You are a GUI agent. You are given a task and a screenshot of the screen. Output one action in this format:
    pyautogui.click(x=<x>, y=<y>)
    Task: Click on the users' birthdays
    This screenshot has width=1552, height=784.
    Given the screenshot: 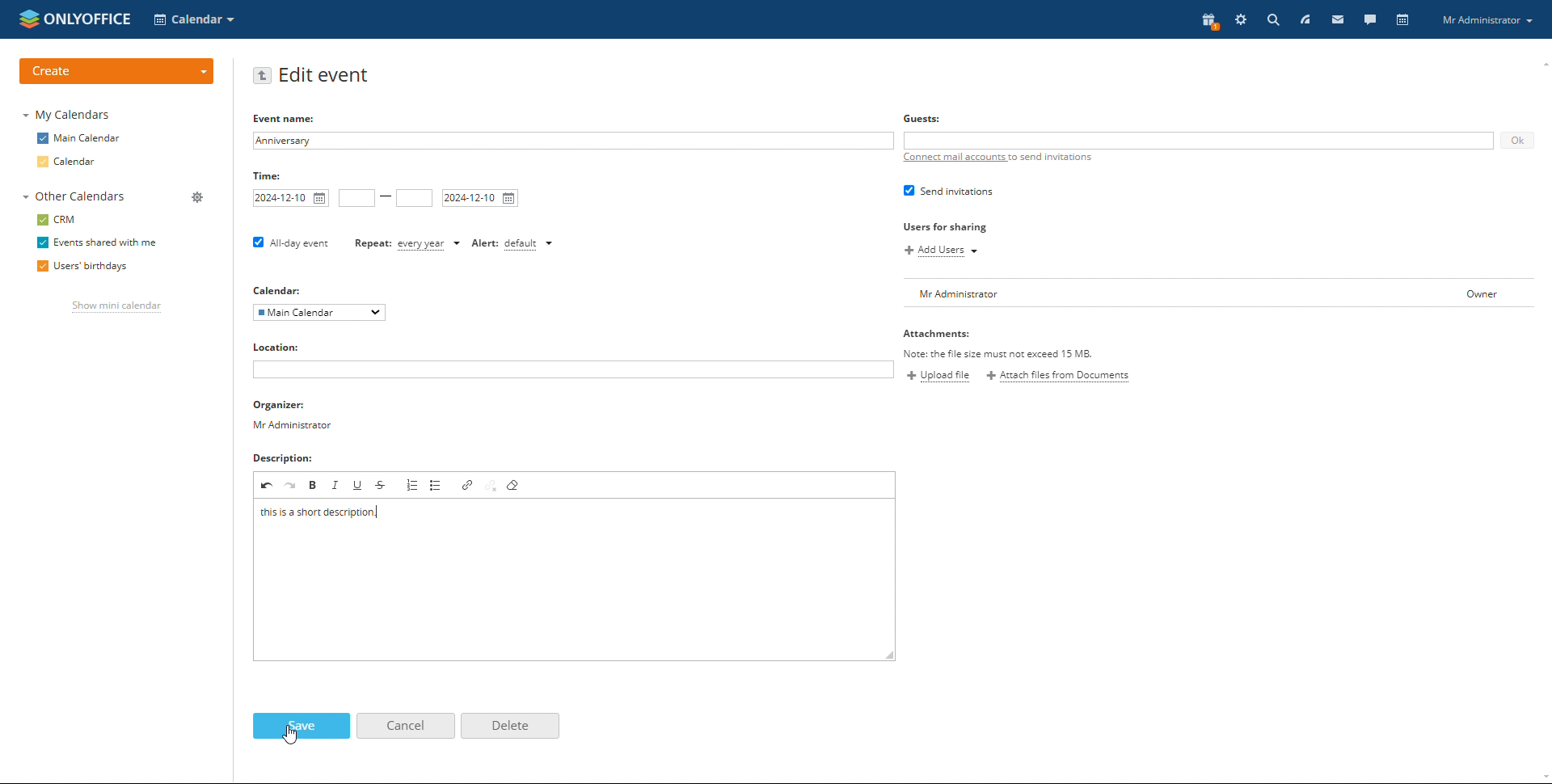 What is the action you would take?
    pyautogui.click(x=81, y=268)
    